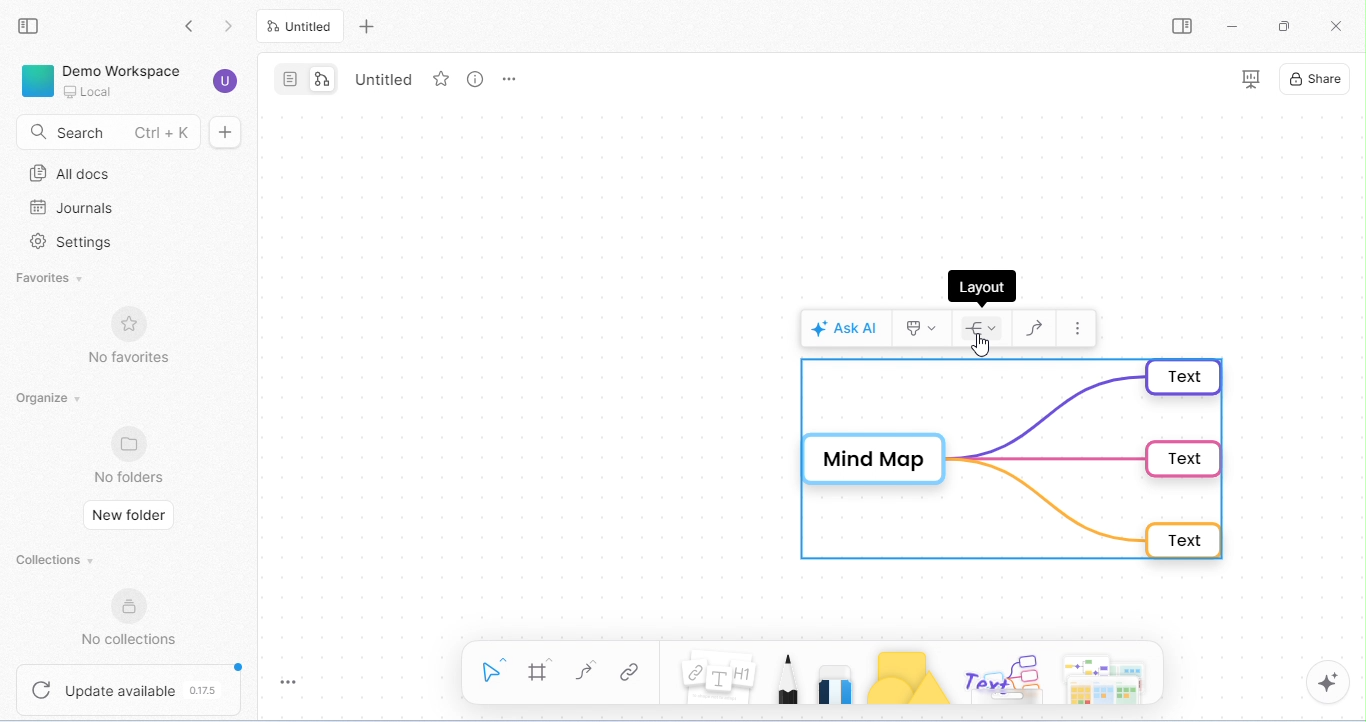 The image size is (1366, 722). What do you see at coordinates (73, 208) in the screenshot?
I see `journals` at bounding box center [73, 208].